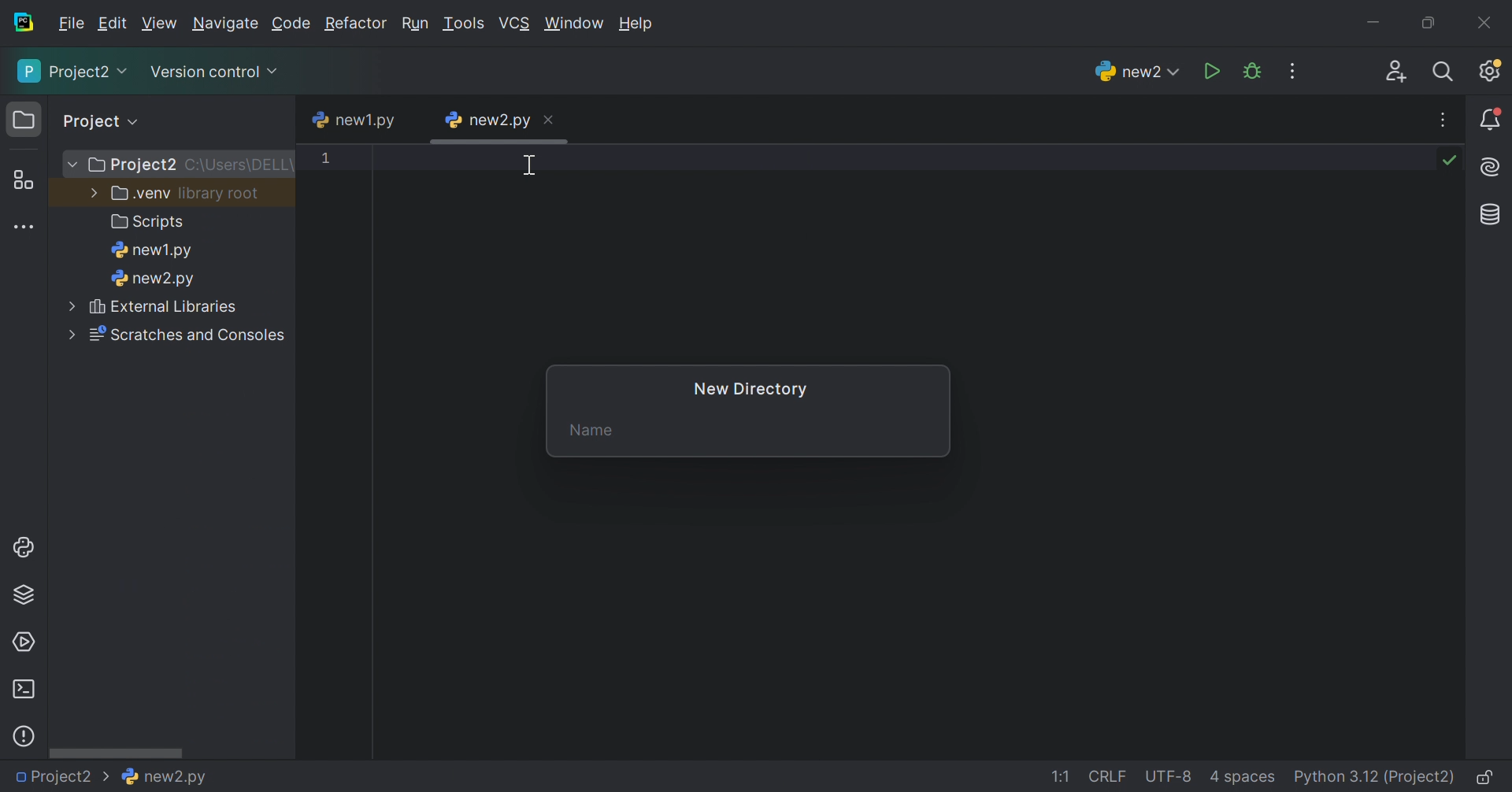 Image resolution: width=1512 pixels, height=792 pixels. What do you see at coordinates (74, 72) in the screenshot?
I see `Project2` at bounding box center [74, 72].